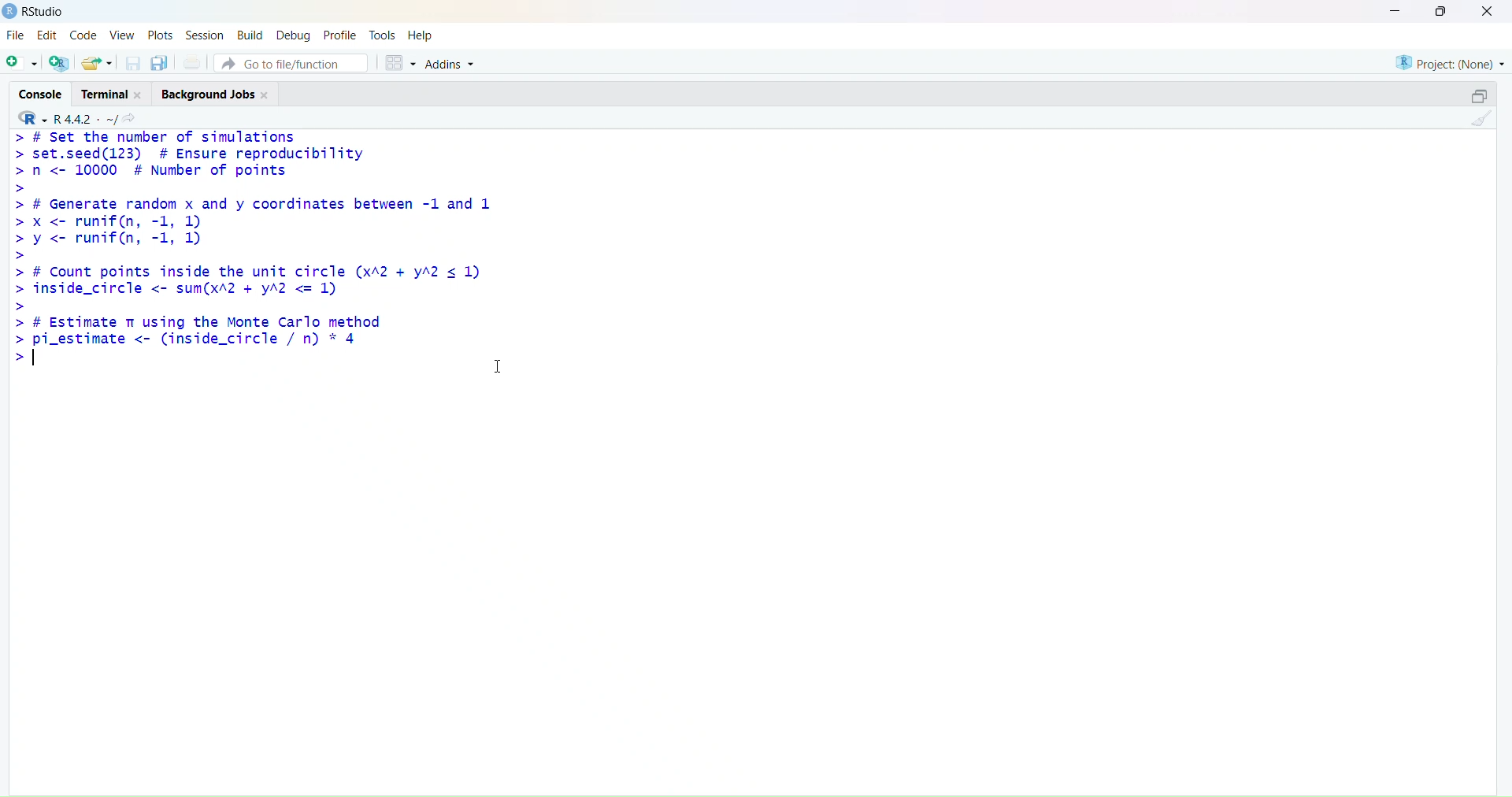 This screenshot has height=797, width=1512. What do you see at coordinates (121, 33) in the screenshot?
I see `View` at bounding box center [121, 33].